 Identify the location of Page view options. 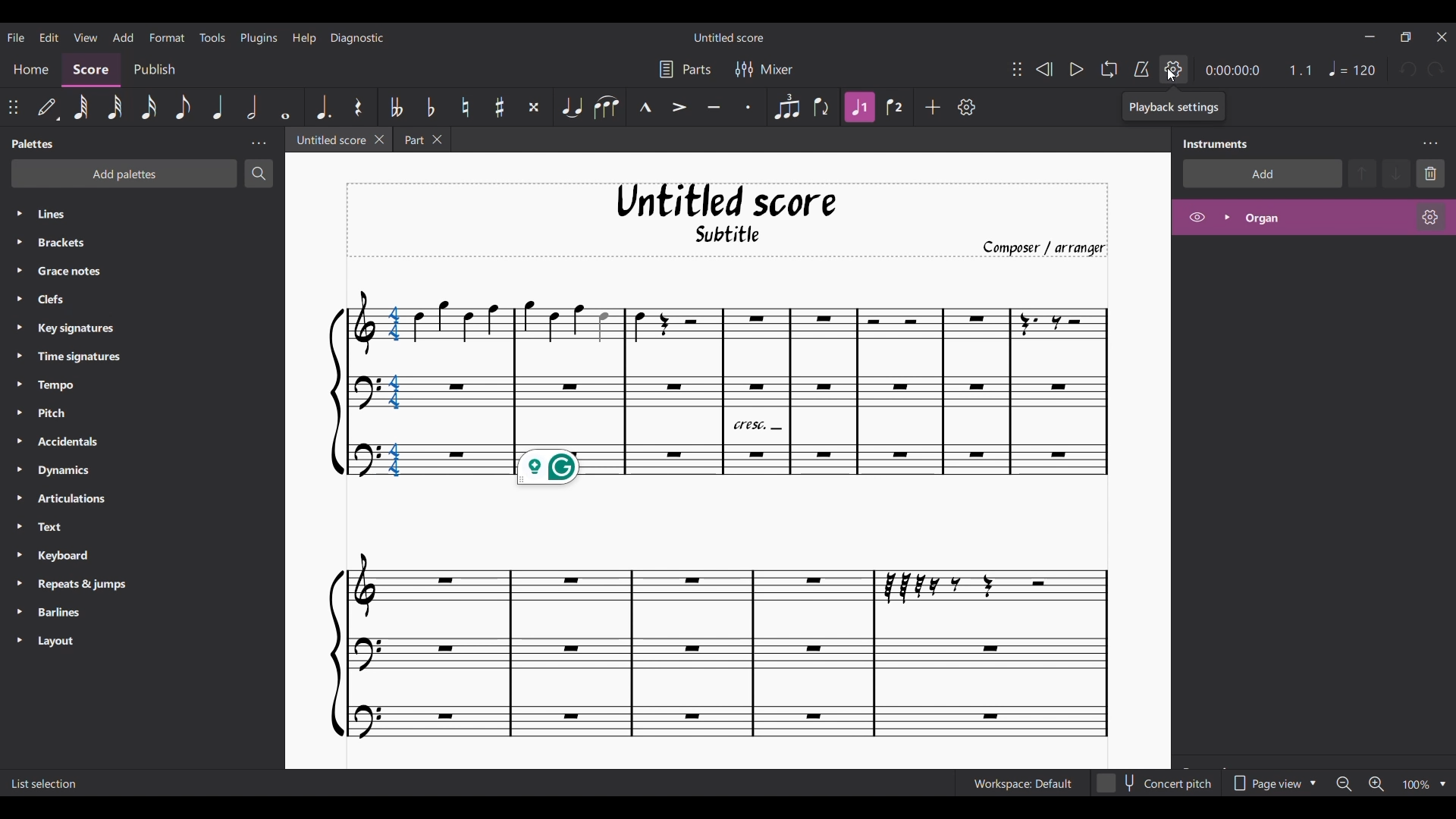
(1272, 783).